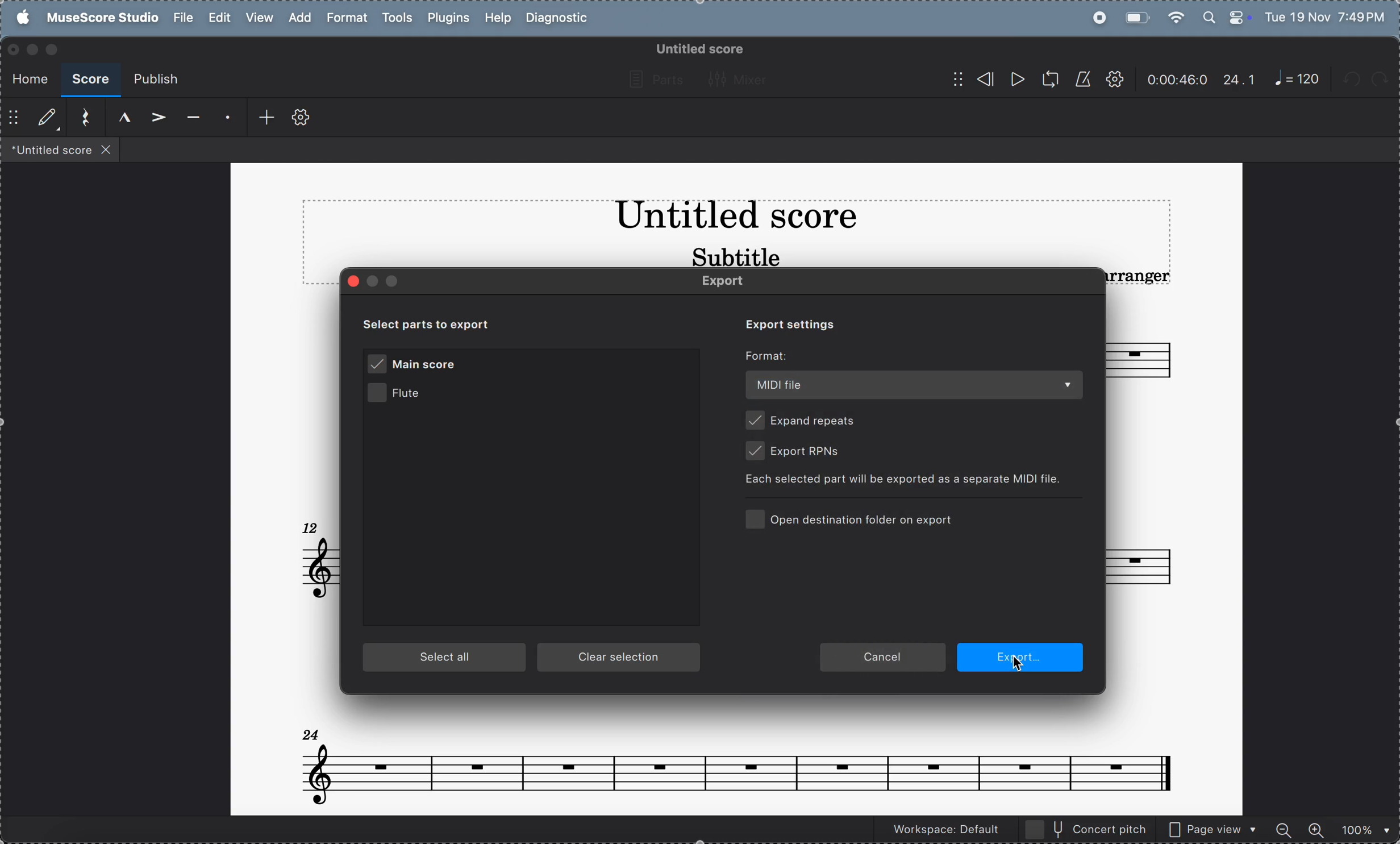 The height and width of the screenshot is (844, 1400). I want to click on musescore studio, so click(99, 18).